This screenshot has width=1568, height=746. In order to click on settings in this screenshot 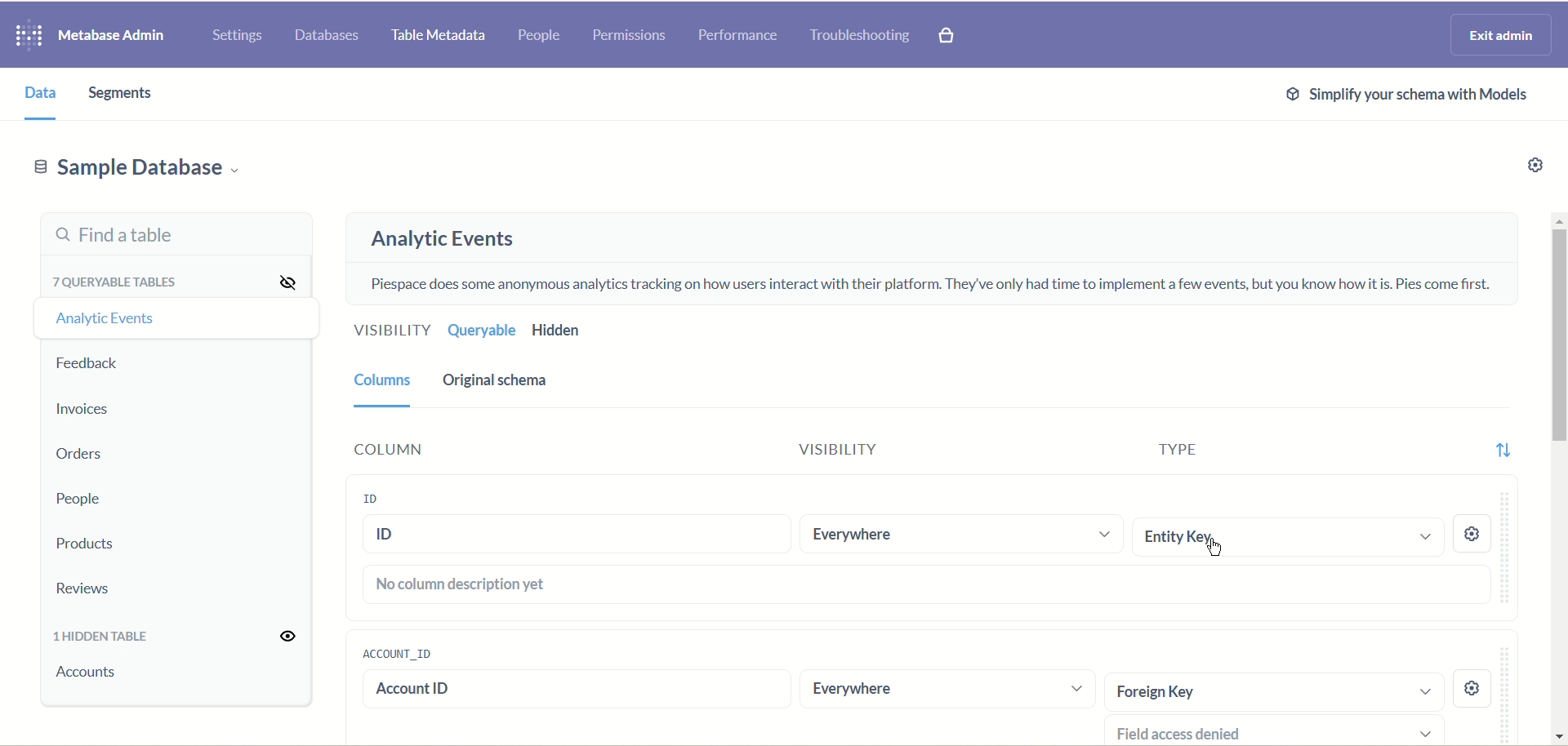, I will do `click(1522, 169)`.